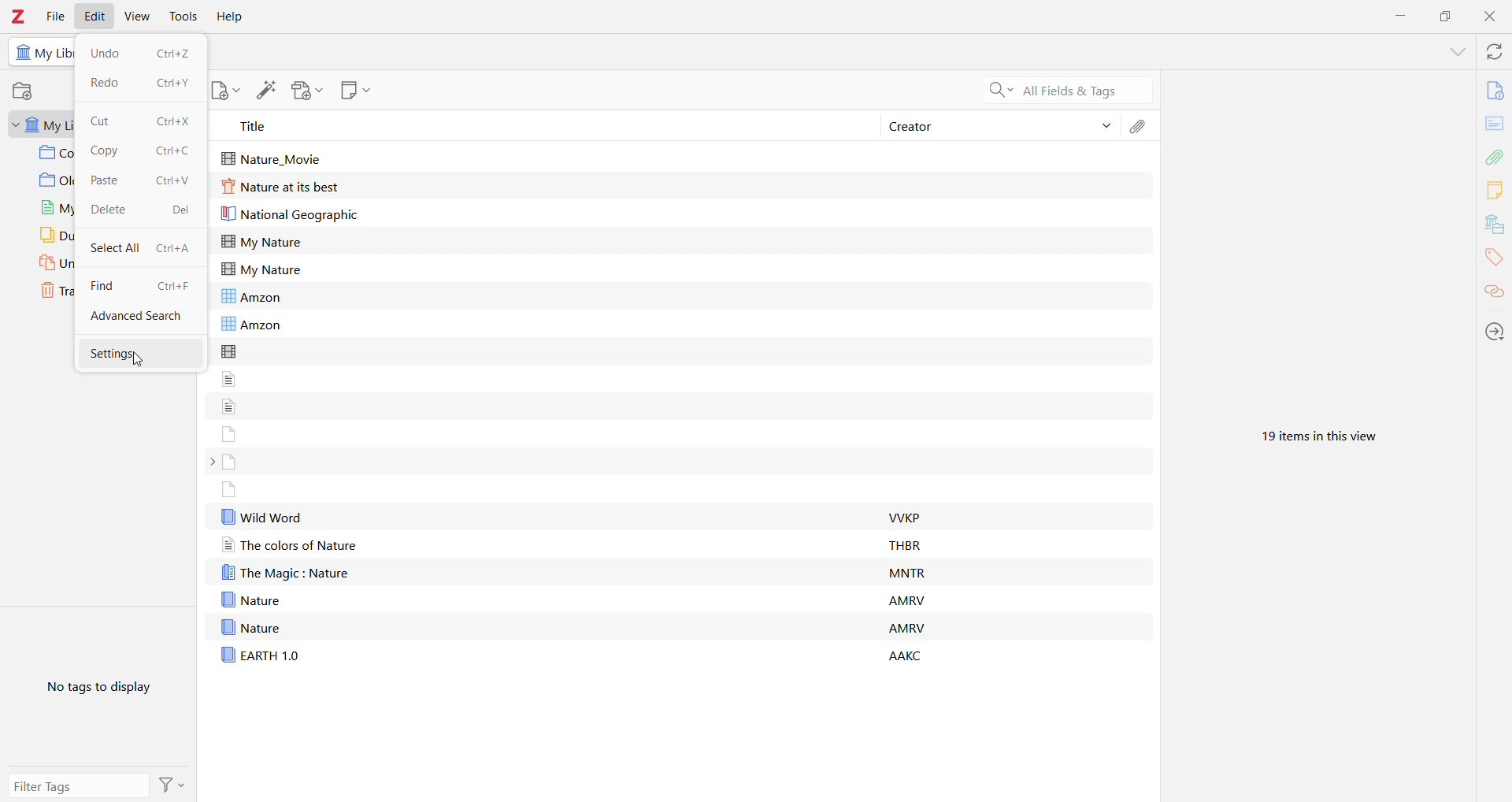  What do you see at coordinates (1443, 17) in the screenshot?
I see `Restore Down` at bounding box center [1443, 17].